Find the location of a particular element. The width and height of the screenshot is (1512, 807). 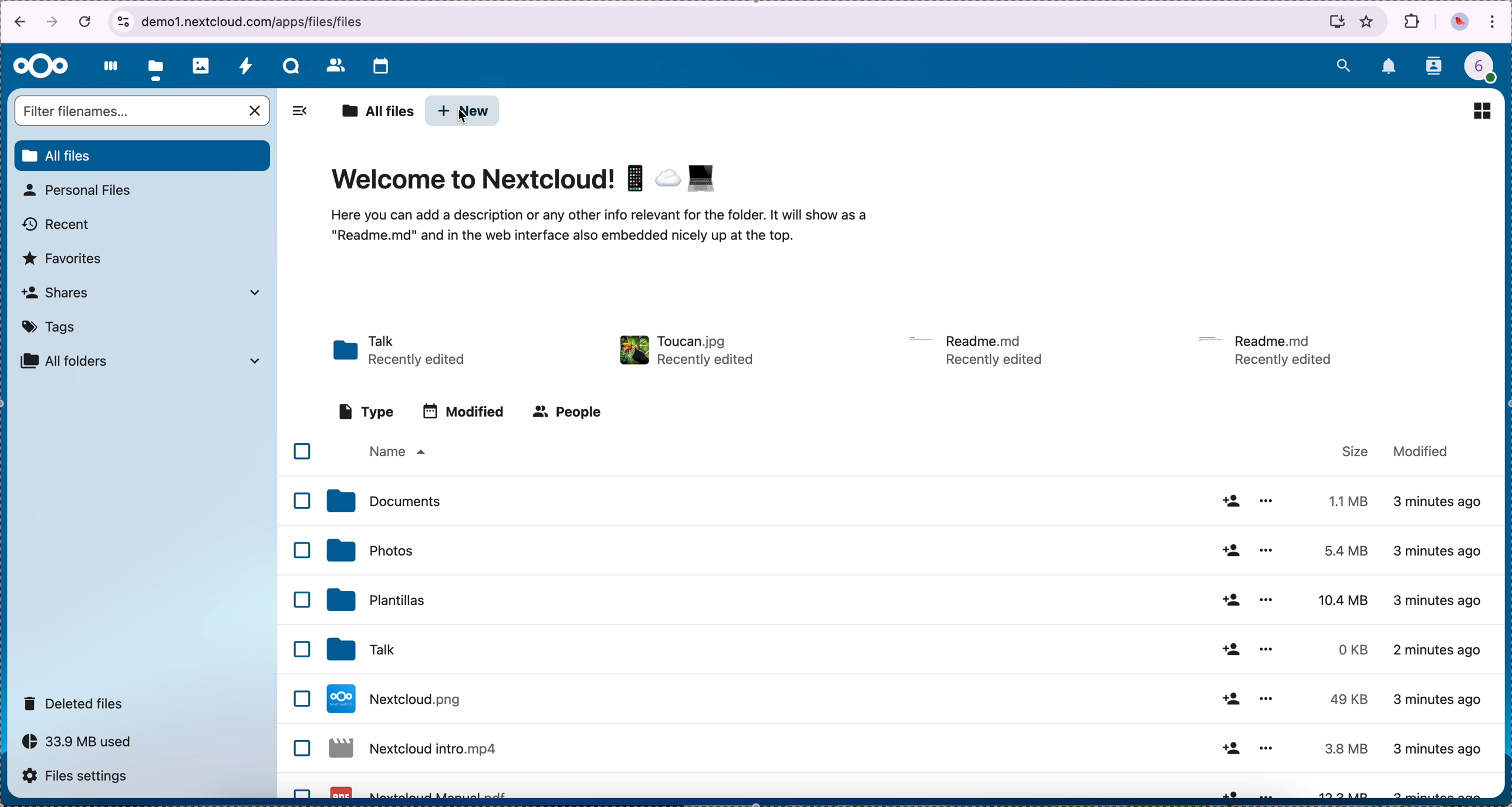

more options is located at coordinates (1264, 598).